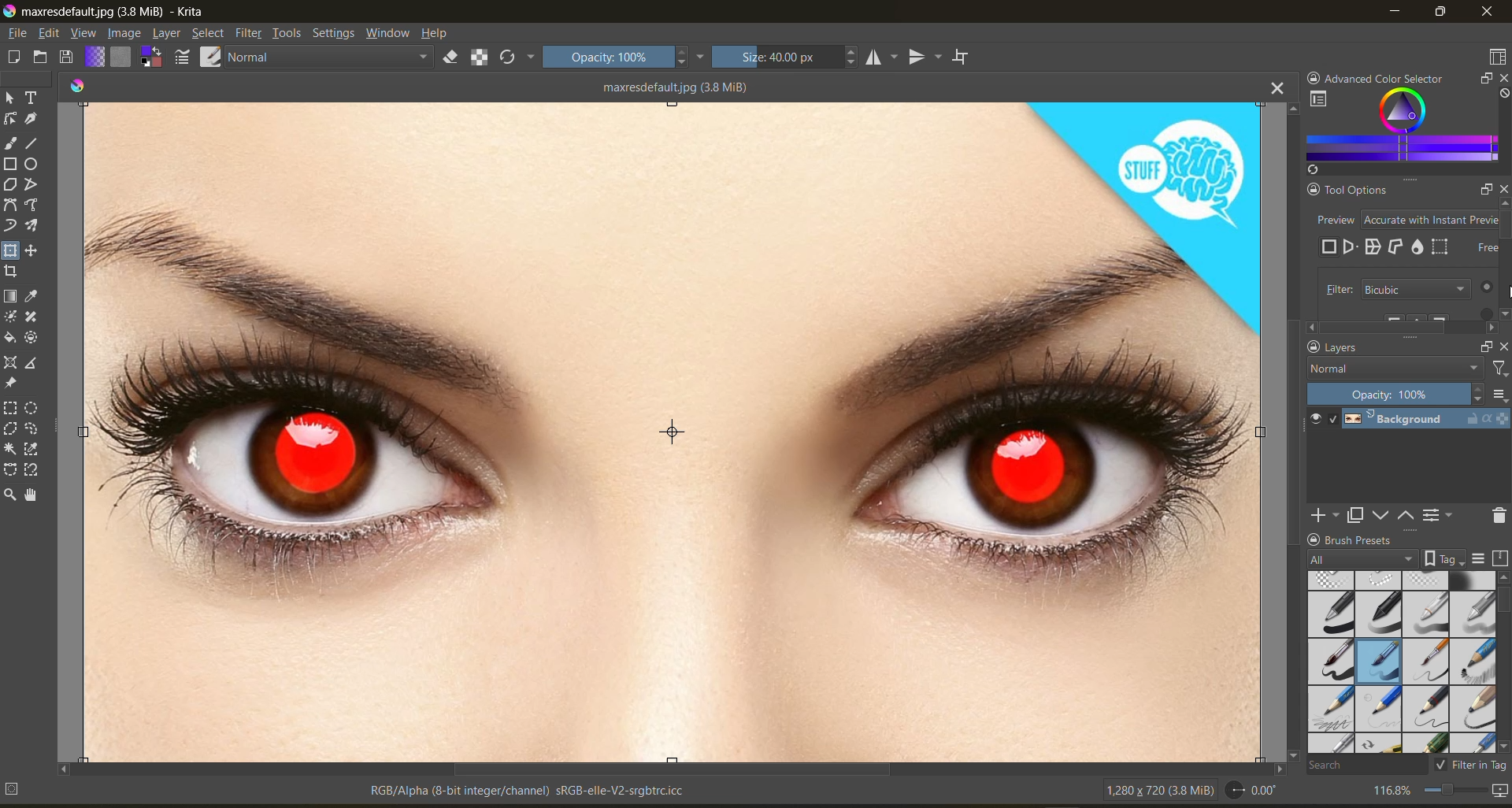 Image resolution: width=1512 pixels, height=808 pixels. I want to click on vertical scroll bar, so click(1289, 430).